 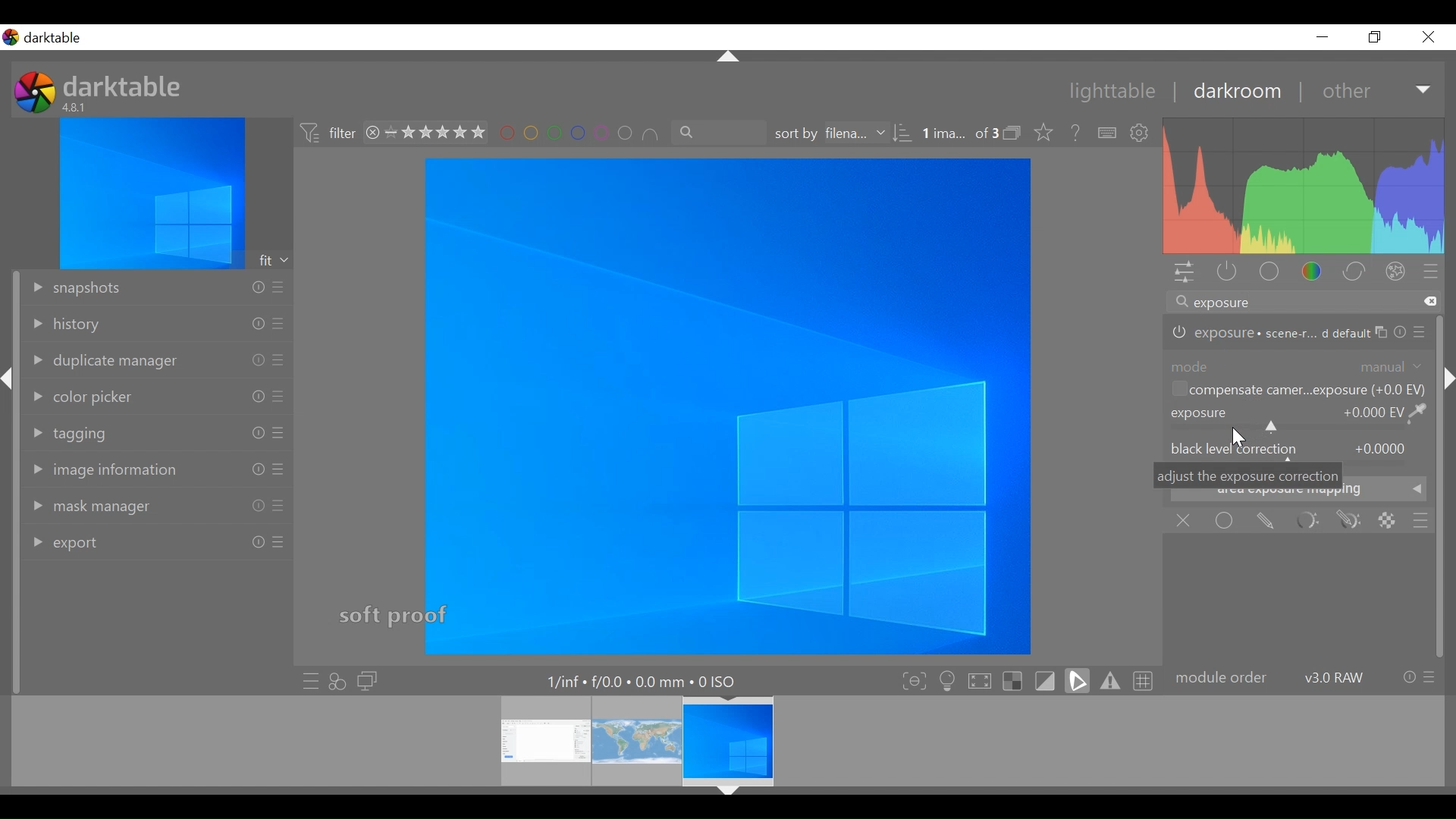 What do you see at coordinates (1234, 448) in the screenshot?
I see `black level correction` at bounding box center [1234, 448].